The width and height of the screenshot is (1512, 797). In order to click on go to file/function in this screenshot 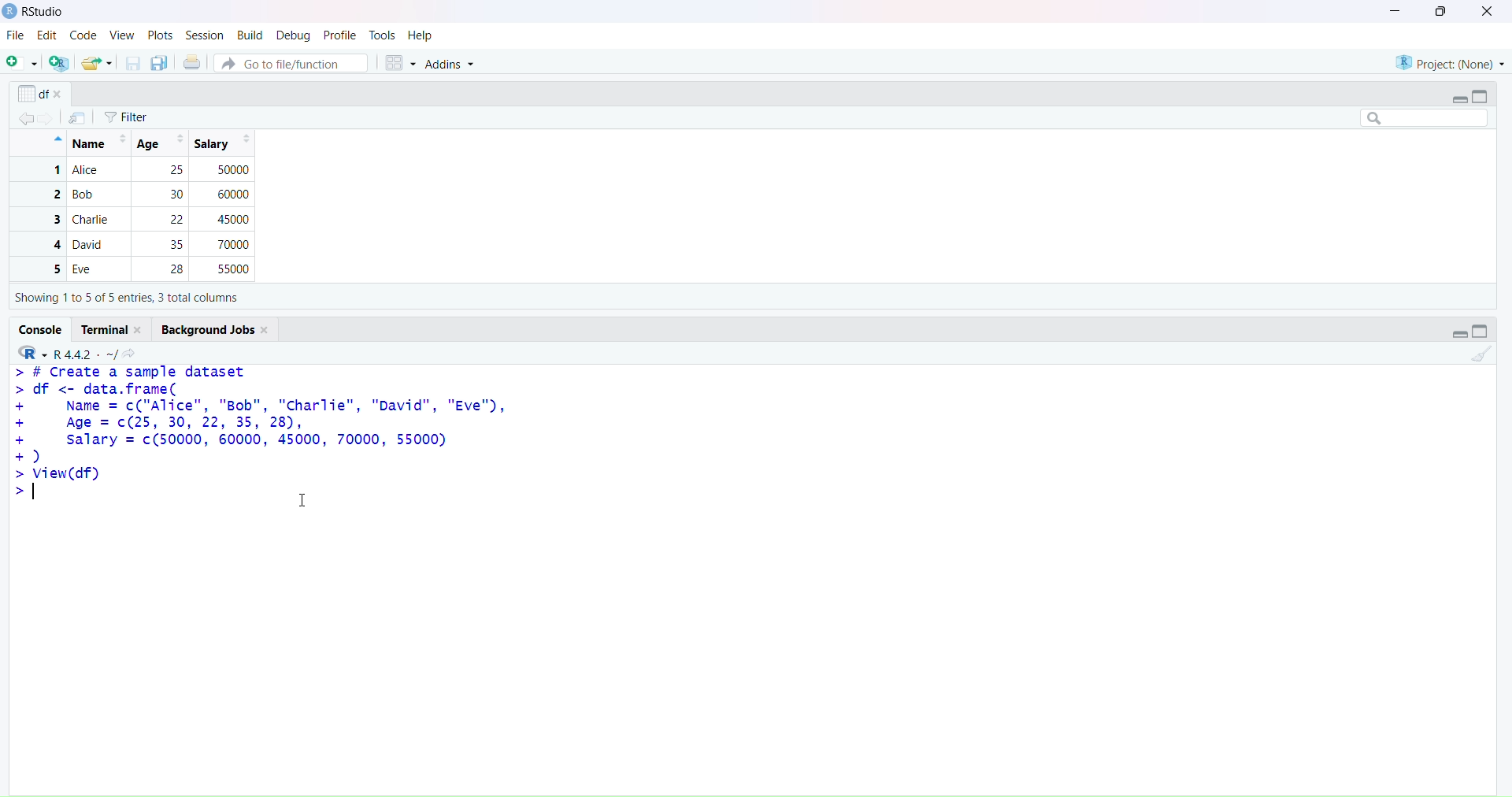, I will do `click(291, 63)`.